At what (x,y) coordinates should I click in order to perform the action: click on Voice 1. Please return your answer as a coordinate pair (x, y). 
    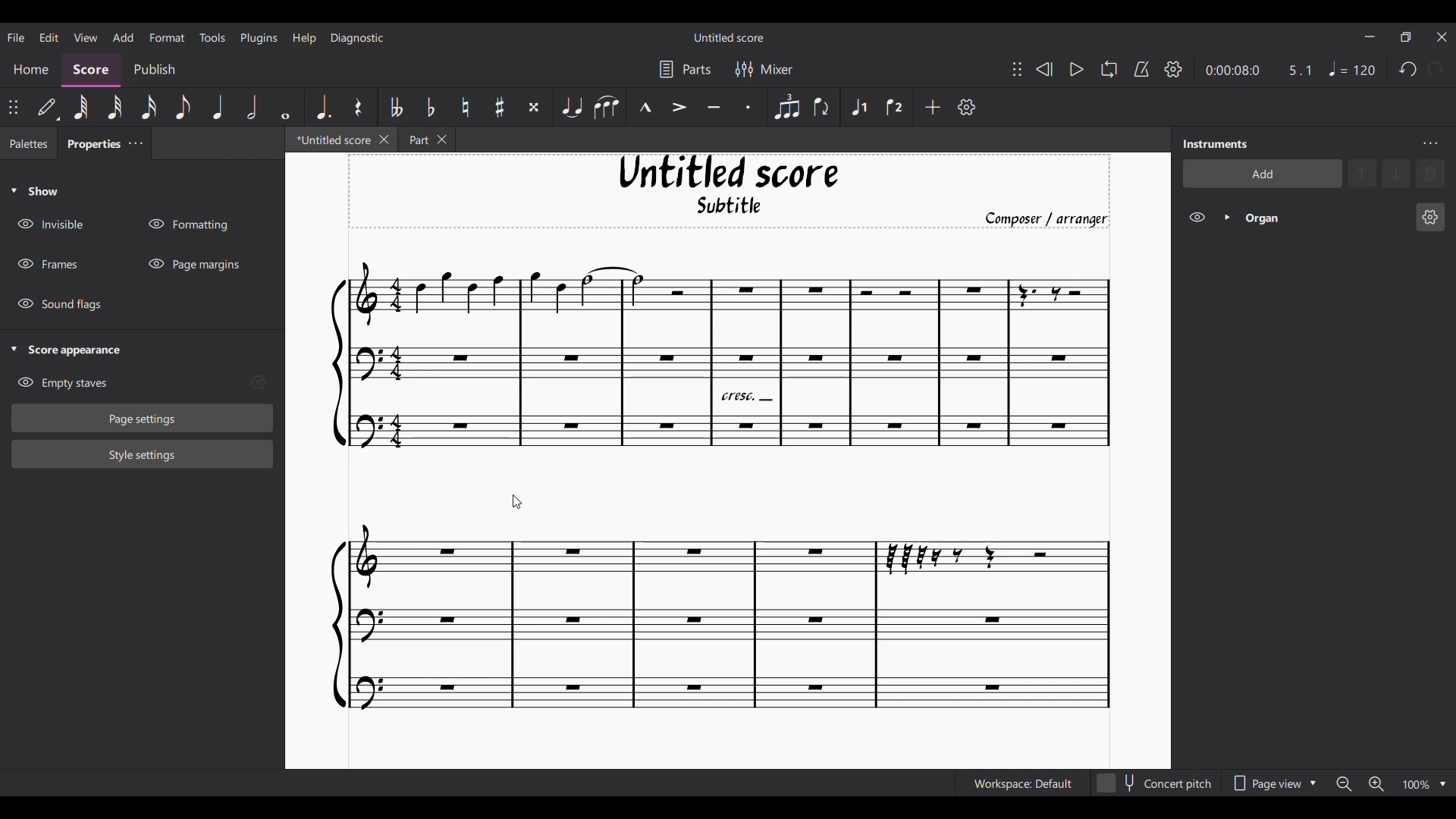
    Looking at the image, I should click on (857, 107).